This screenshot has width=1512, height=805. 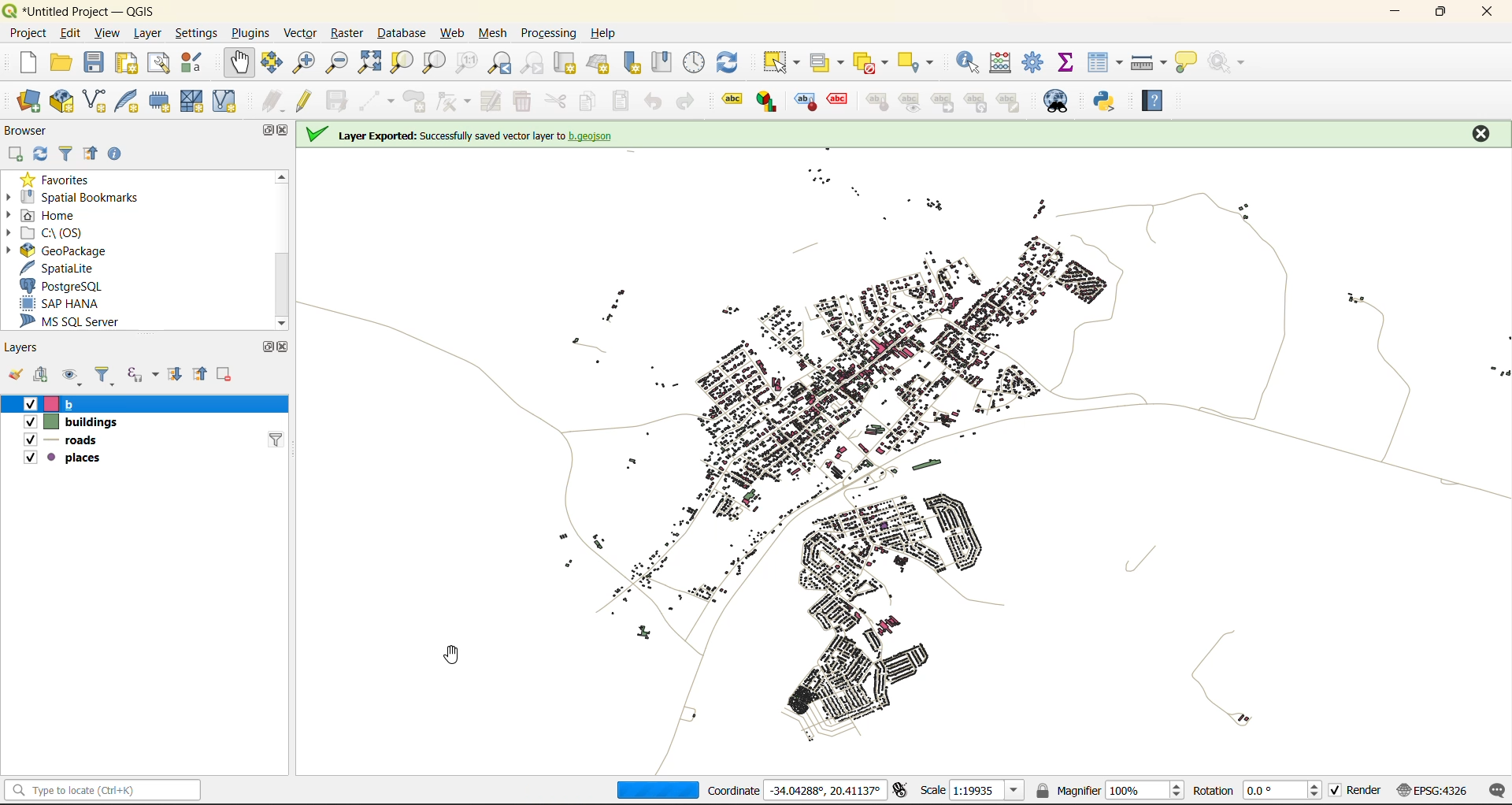 What do you see at coordinates (190, 101) in the screenshot?
I see `new mesh` at bounding box center [190, 101].